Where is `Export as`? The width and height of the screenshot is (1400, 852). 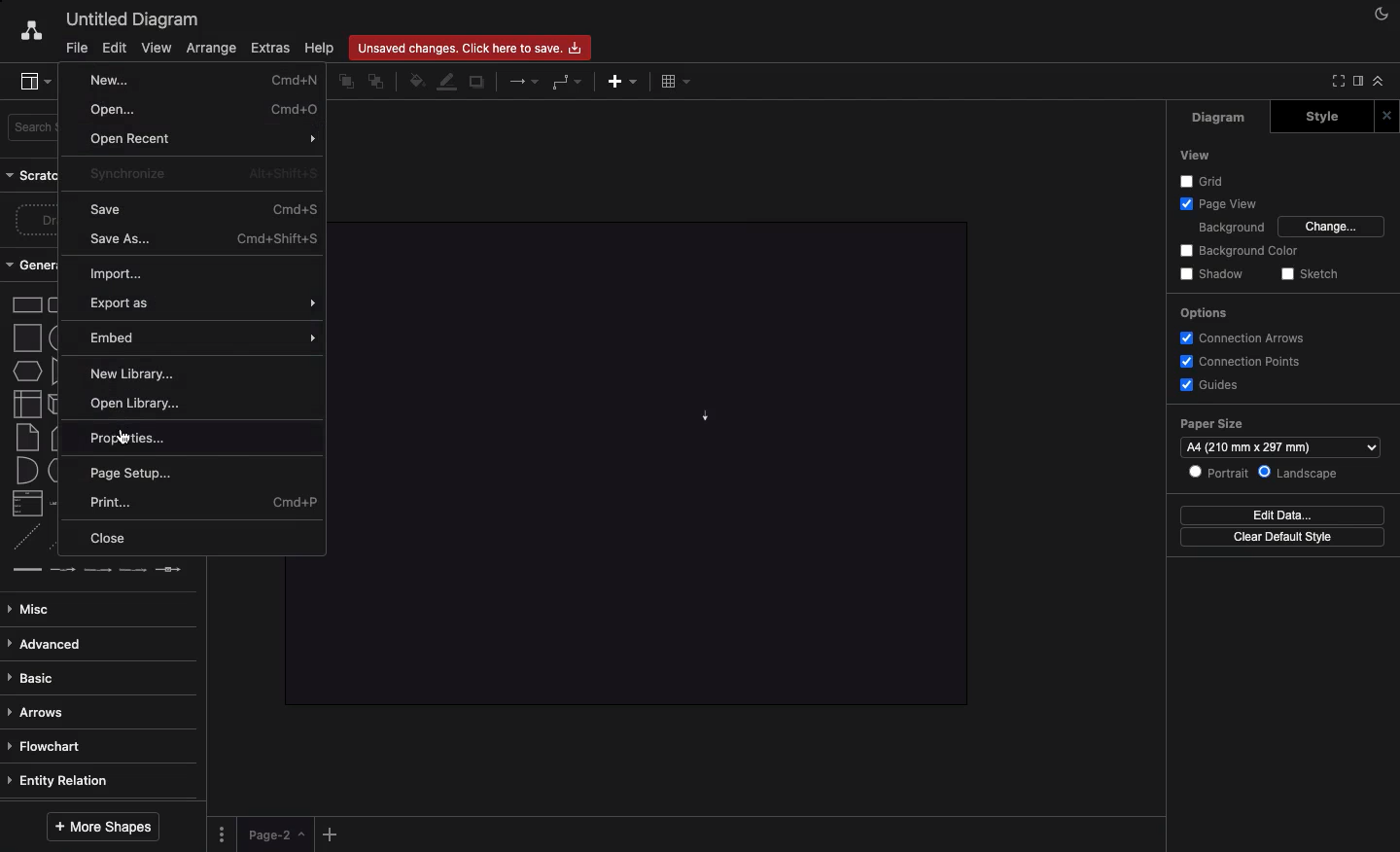
Export as is located at coordinates (203, 304).